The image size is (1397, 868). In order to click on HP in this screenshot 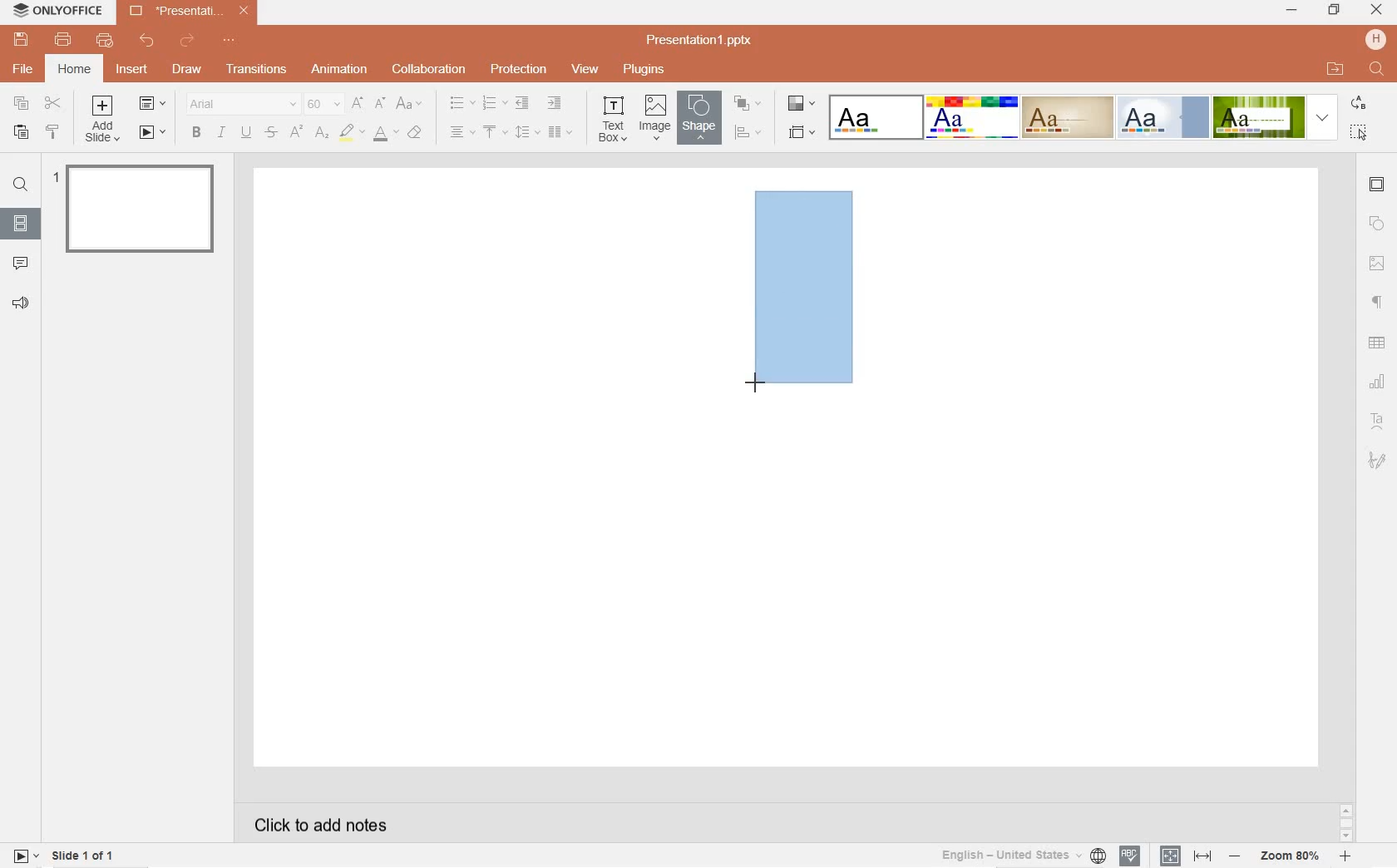, I will do `click(1375, 39)`.